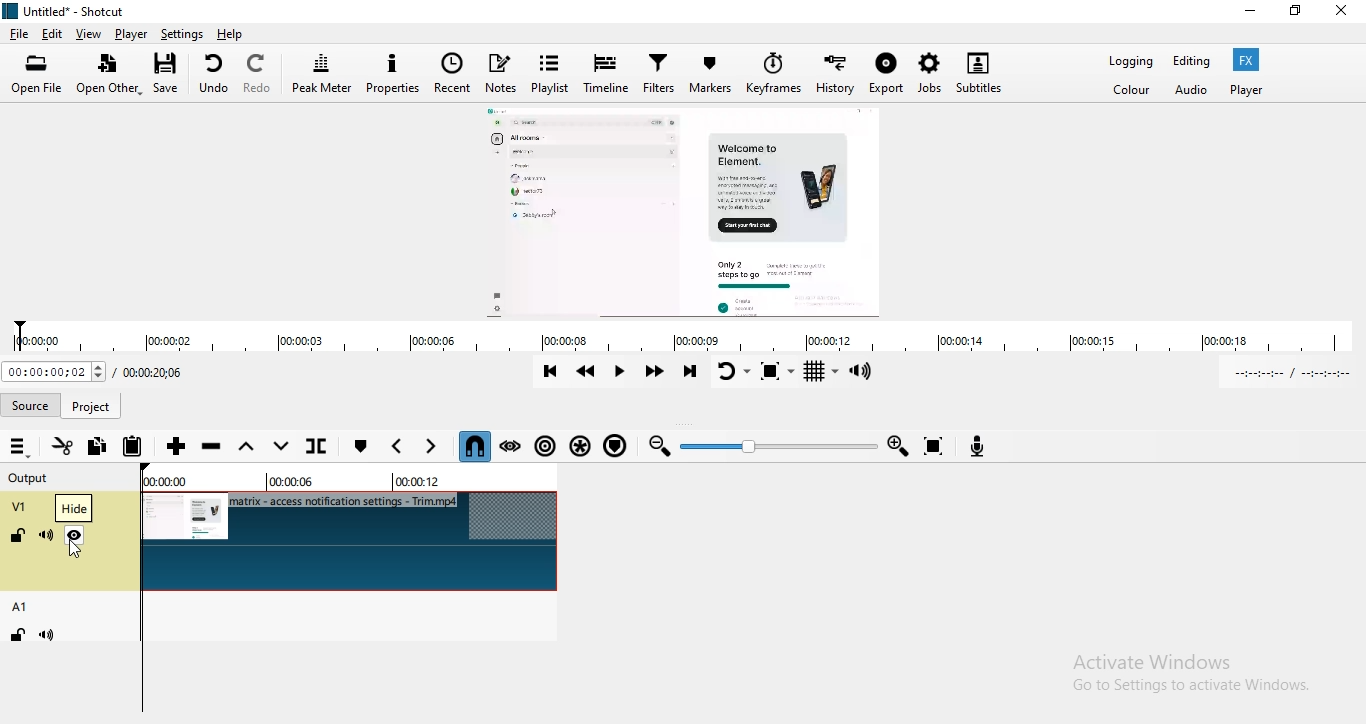 The image size is (1366, 724). What do you see at coordinates (79, 553) in the screenshot?
I see `cursor` at bounding box center [79, 553].